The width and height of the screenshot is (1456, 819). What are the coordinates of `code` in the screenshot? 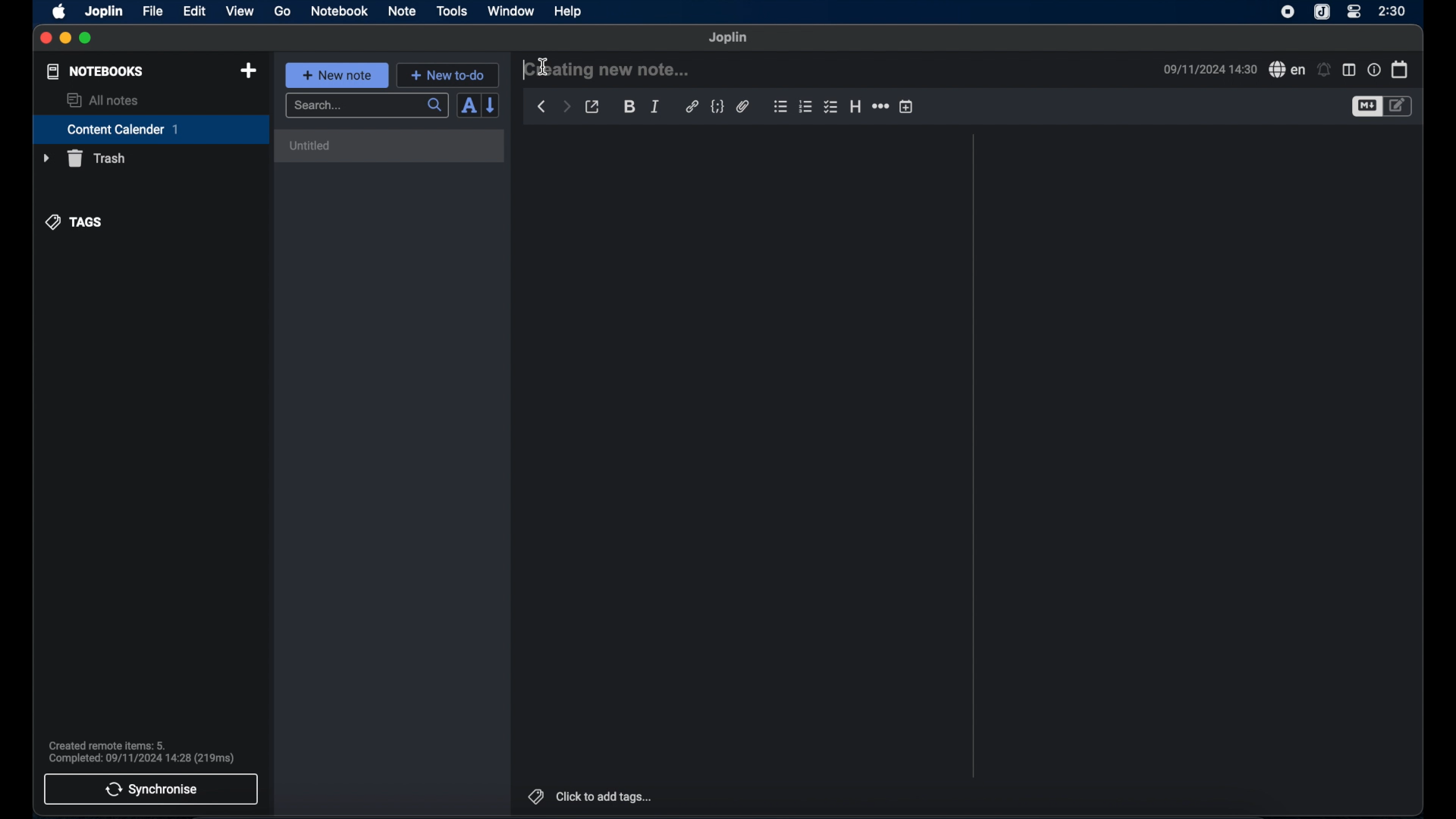 It's located at (717, 107).